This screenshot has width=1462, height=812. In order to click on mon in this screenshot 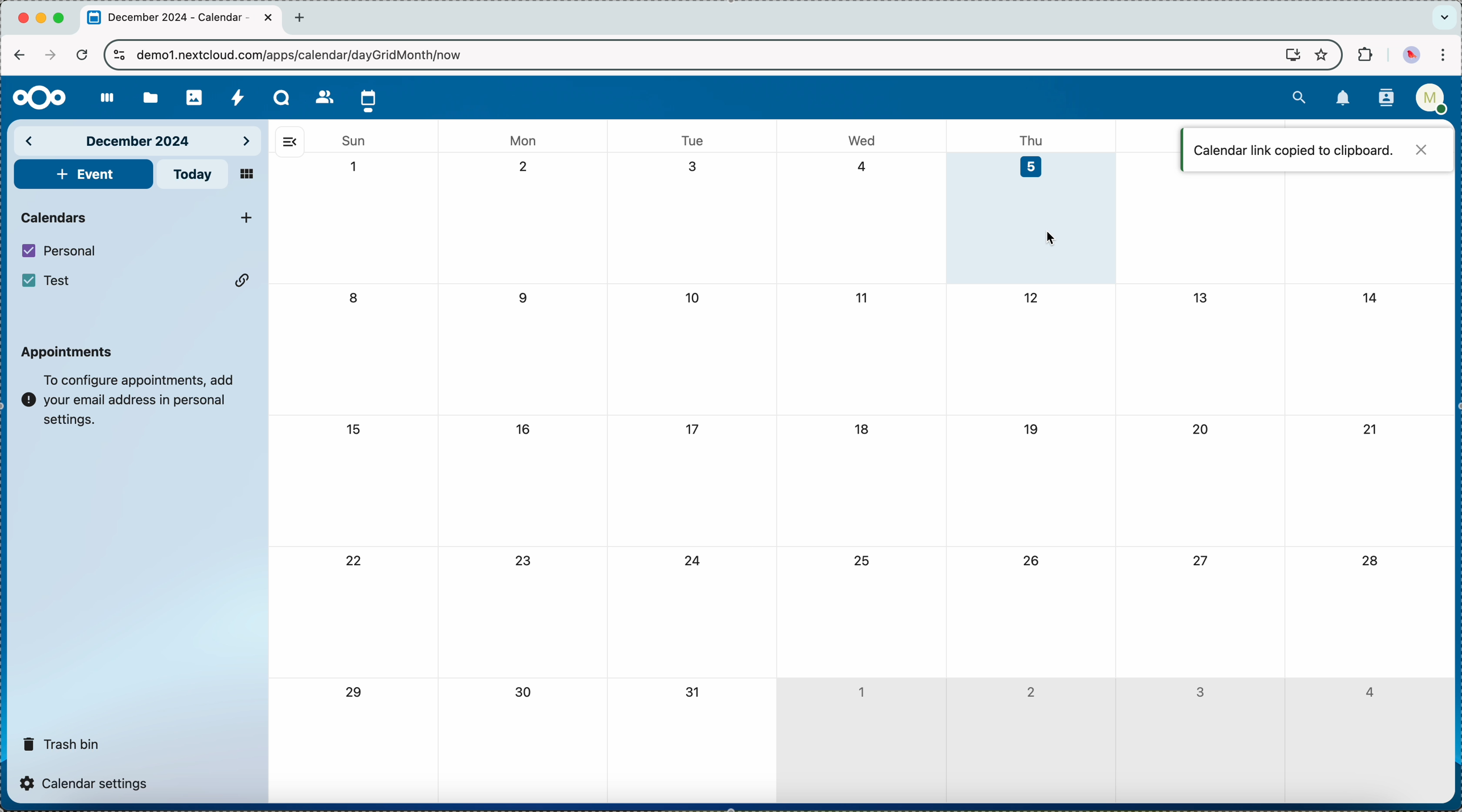, I will do `click(524, 137)`.